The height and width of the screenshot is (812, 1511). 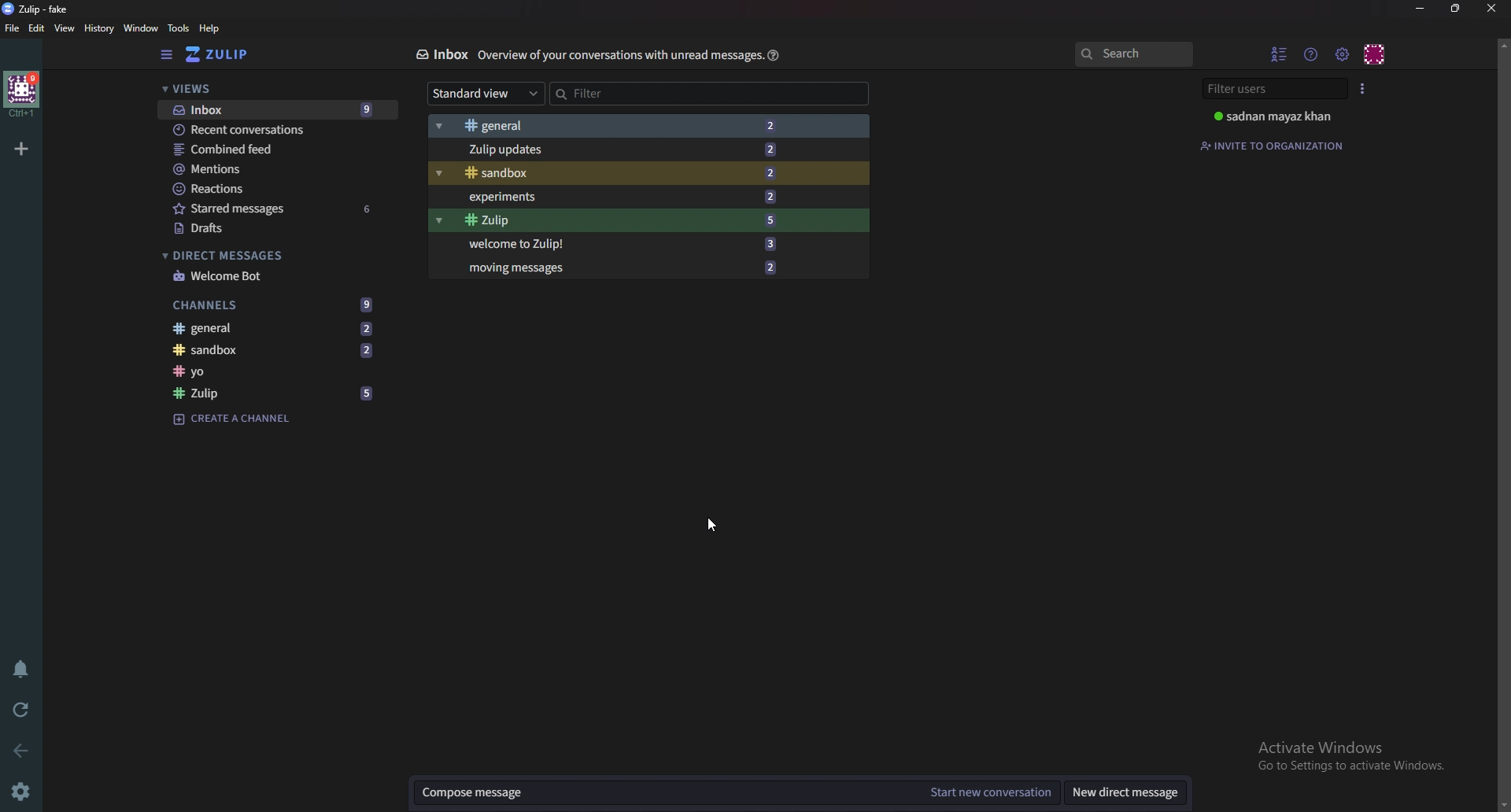 I want to click on Minimize, so click(x=1420, y=9).